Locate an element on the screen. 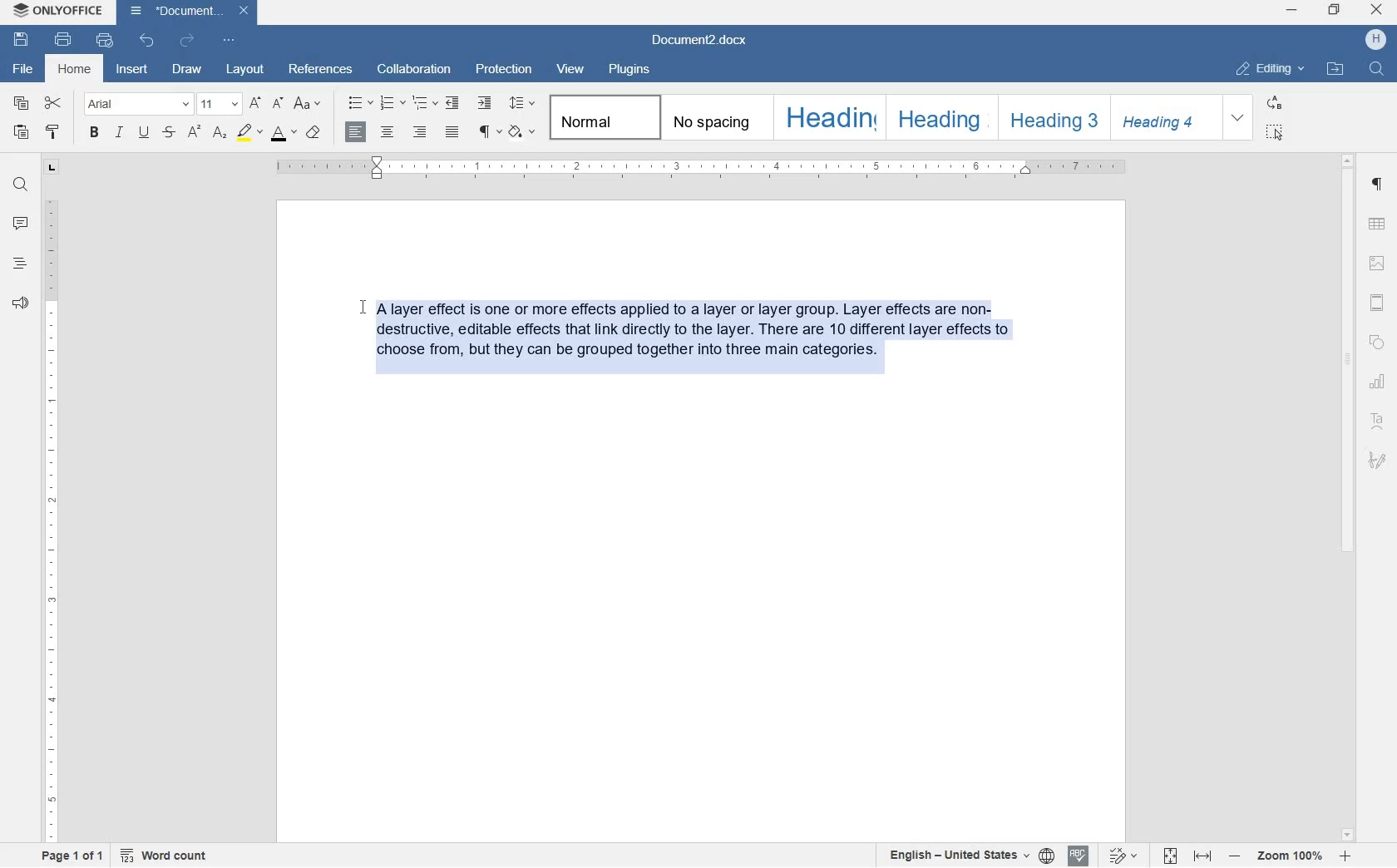 The height and width of the screenshot is (868, 1397). insert is located at coordinates (133, 69).